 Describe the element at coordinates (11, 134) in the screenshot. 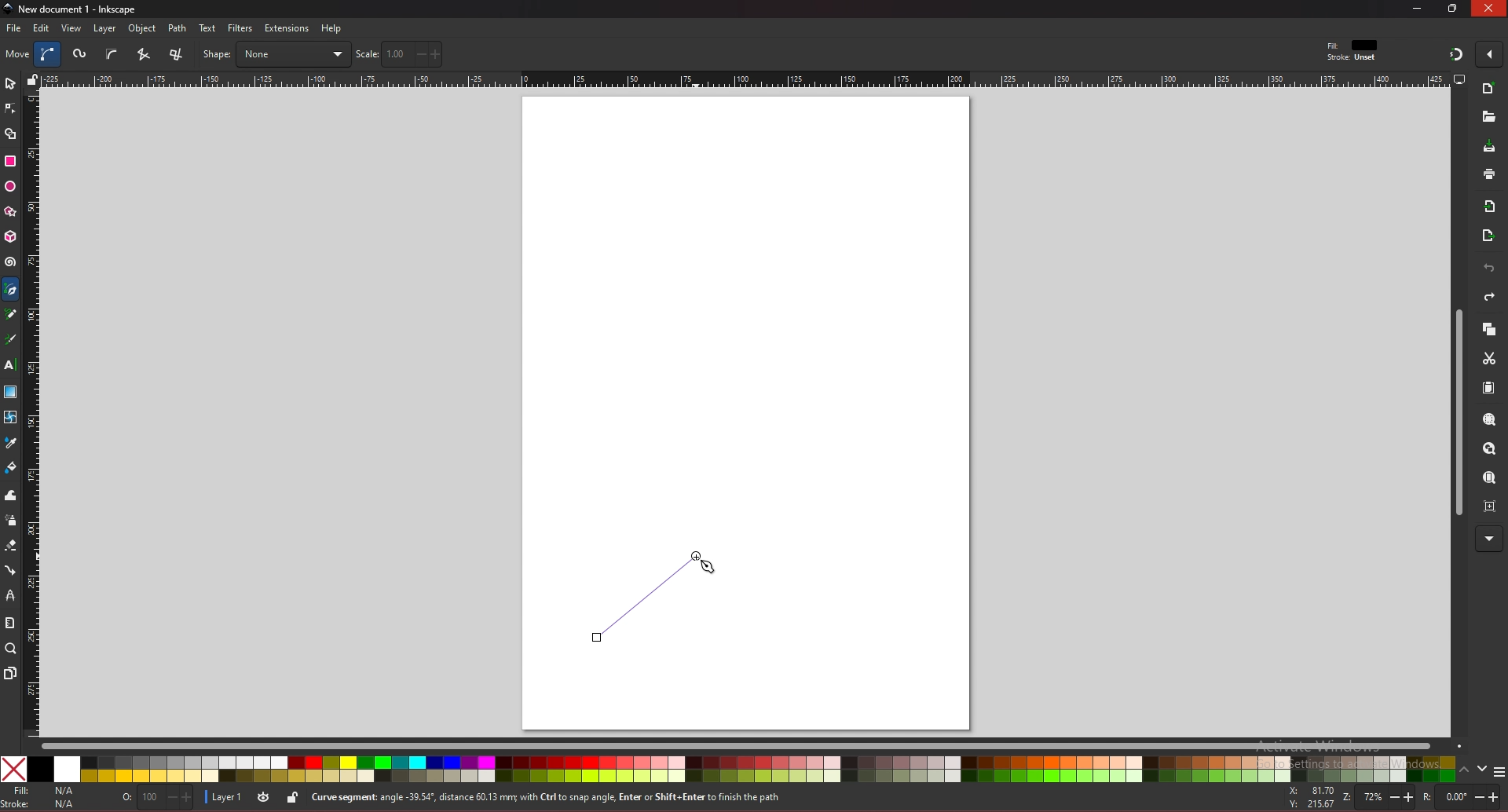

I see `shape builder` at that location.